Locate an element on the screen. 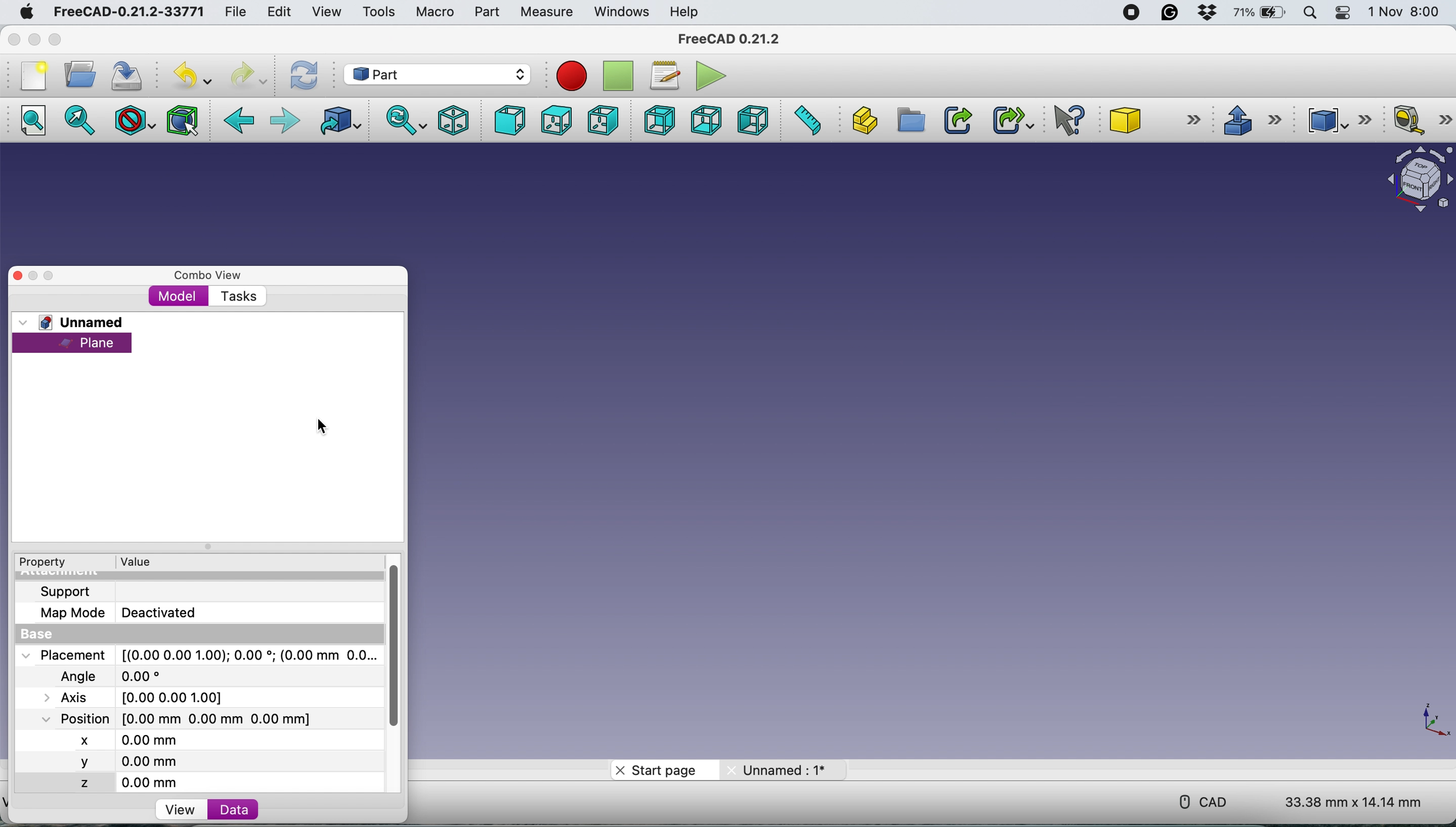 The height and width of the screenshot is (827, 1456). draw style is located at coordinates (133, 121).